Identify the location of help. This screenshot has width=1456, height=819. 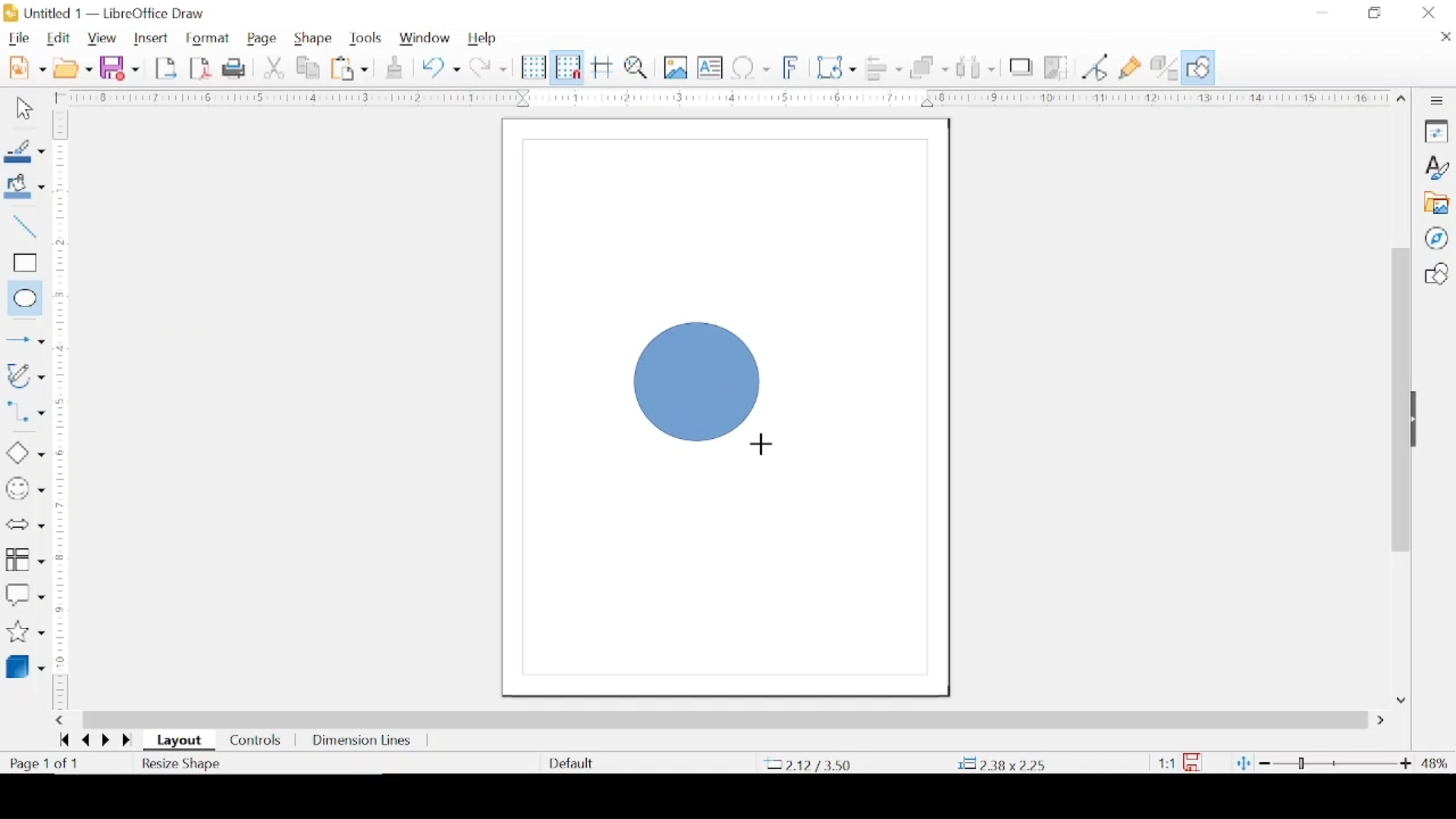
(483, 39).